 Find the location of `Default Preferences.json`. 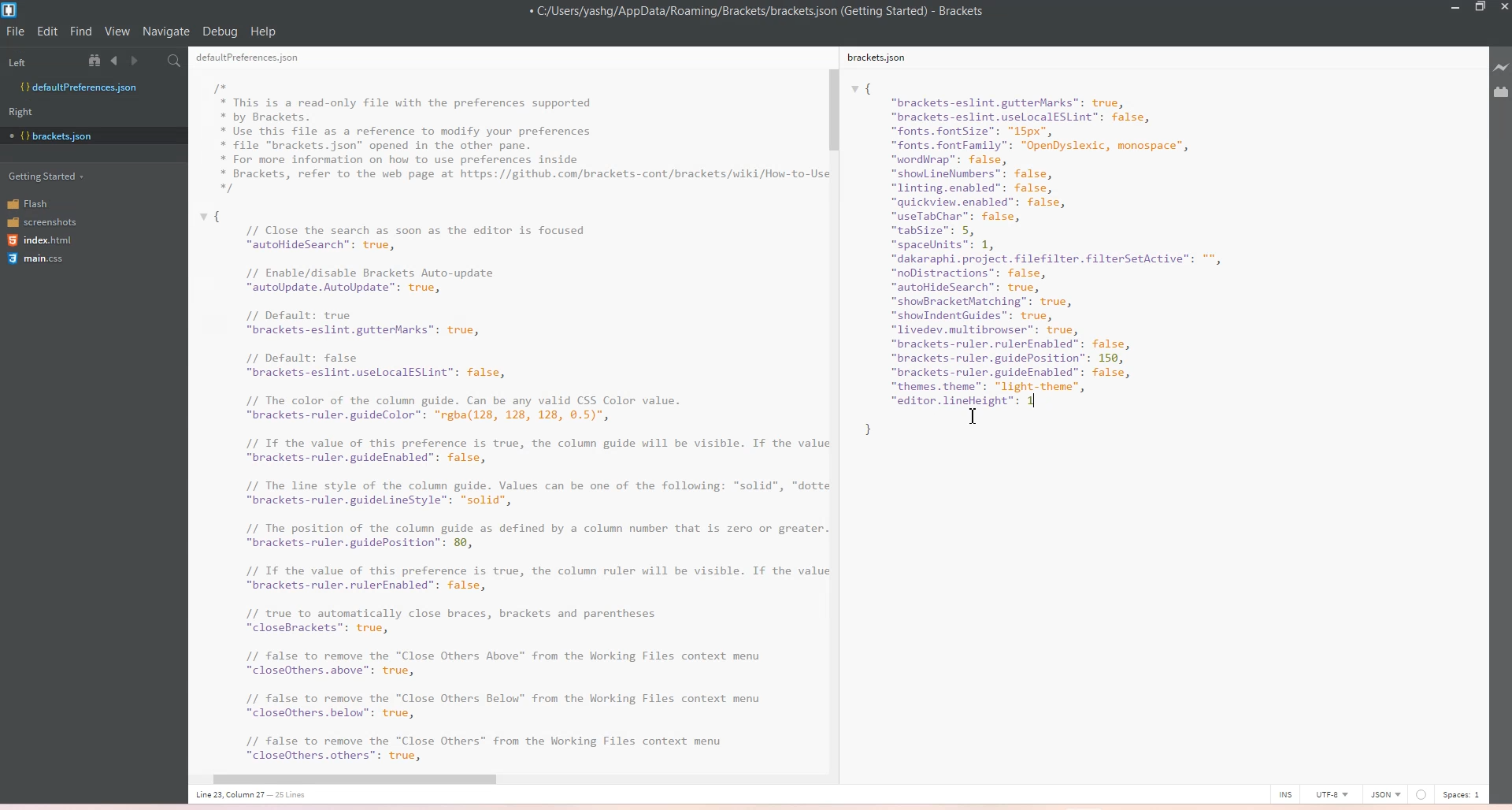

Default Preferences.json is located at coordinates (78, 87).